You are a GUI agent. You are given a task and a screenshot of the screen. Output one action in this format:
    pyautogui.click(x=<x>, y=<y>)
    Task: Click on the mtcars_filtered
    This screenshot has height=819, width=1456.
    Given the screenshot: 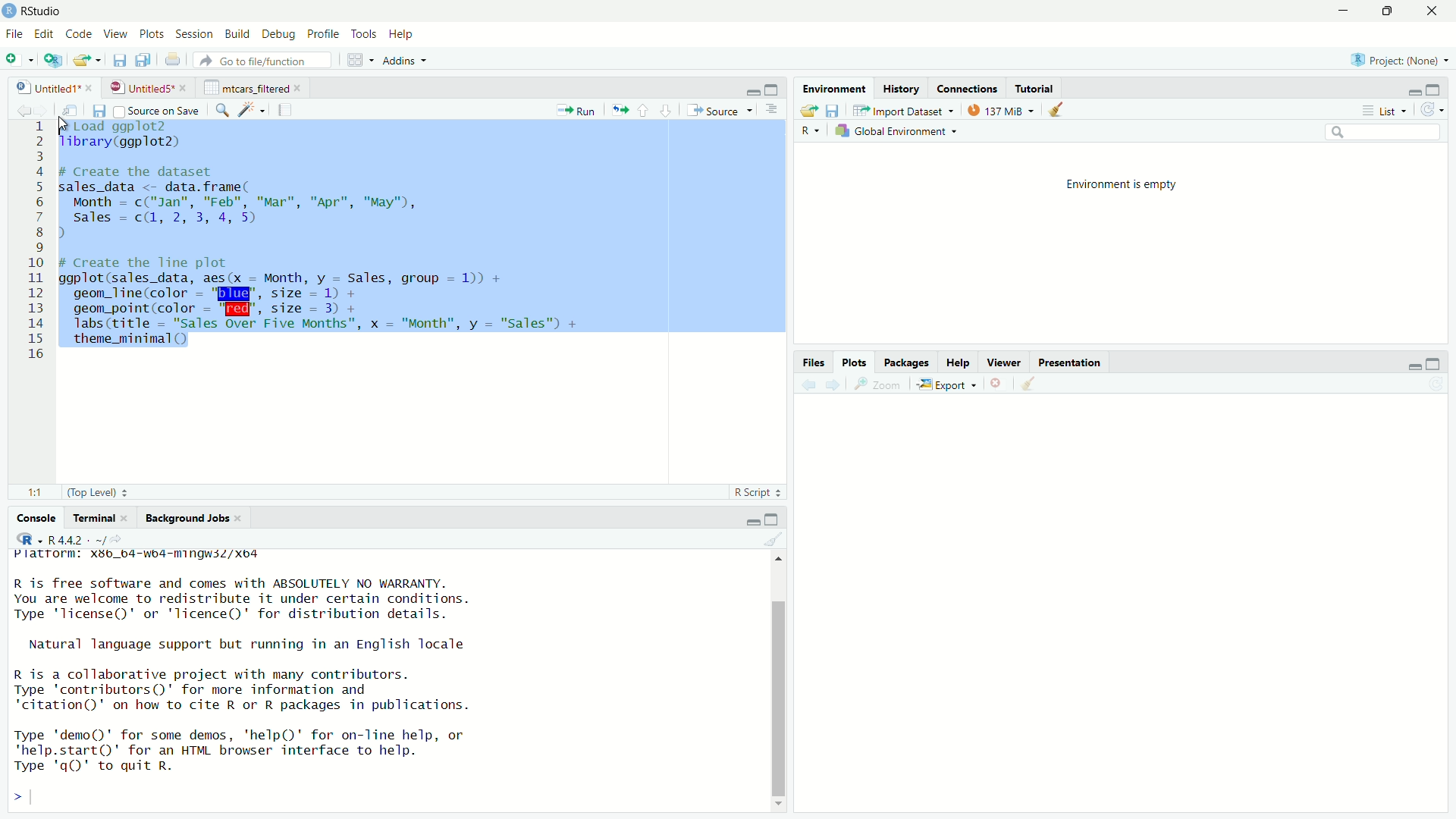 What is the action you would take?
    pyautogui.click(x=246, y=88)
    